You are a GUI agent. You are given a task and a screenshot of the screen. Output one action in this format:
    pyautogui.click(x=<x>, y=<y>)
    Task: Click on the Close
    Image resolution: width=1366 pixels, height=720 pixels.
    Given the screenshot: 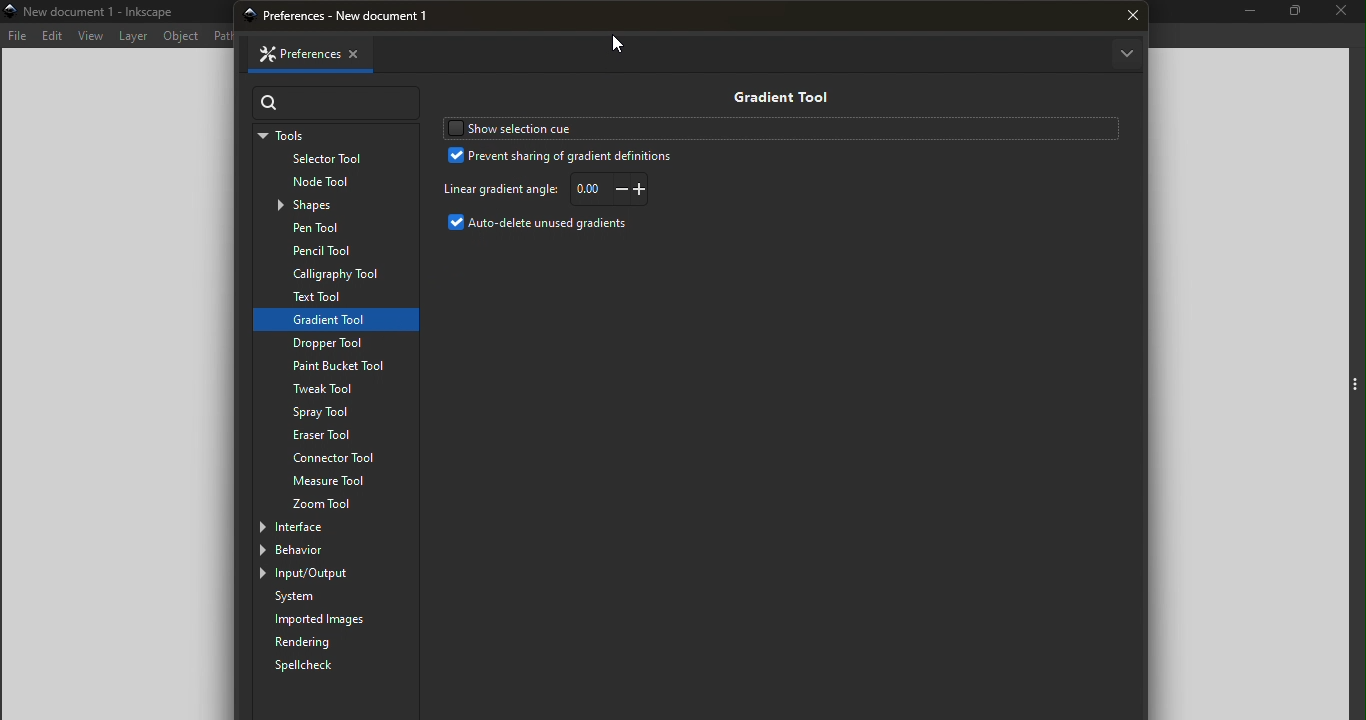 What is the action you would take?
    pyautogui.click(x=1342, y=13)
    